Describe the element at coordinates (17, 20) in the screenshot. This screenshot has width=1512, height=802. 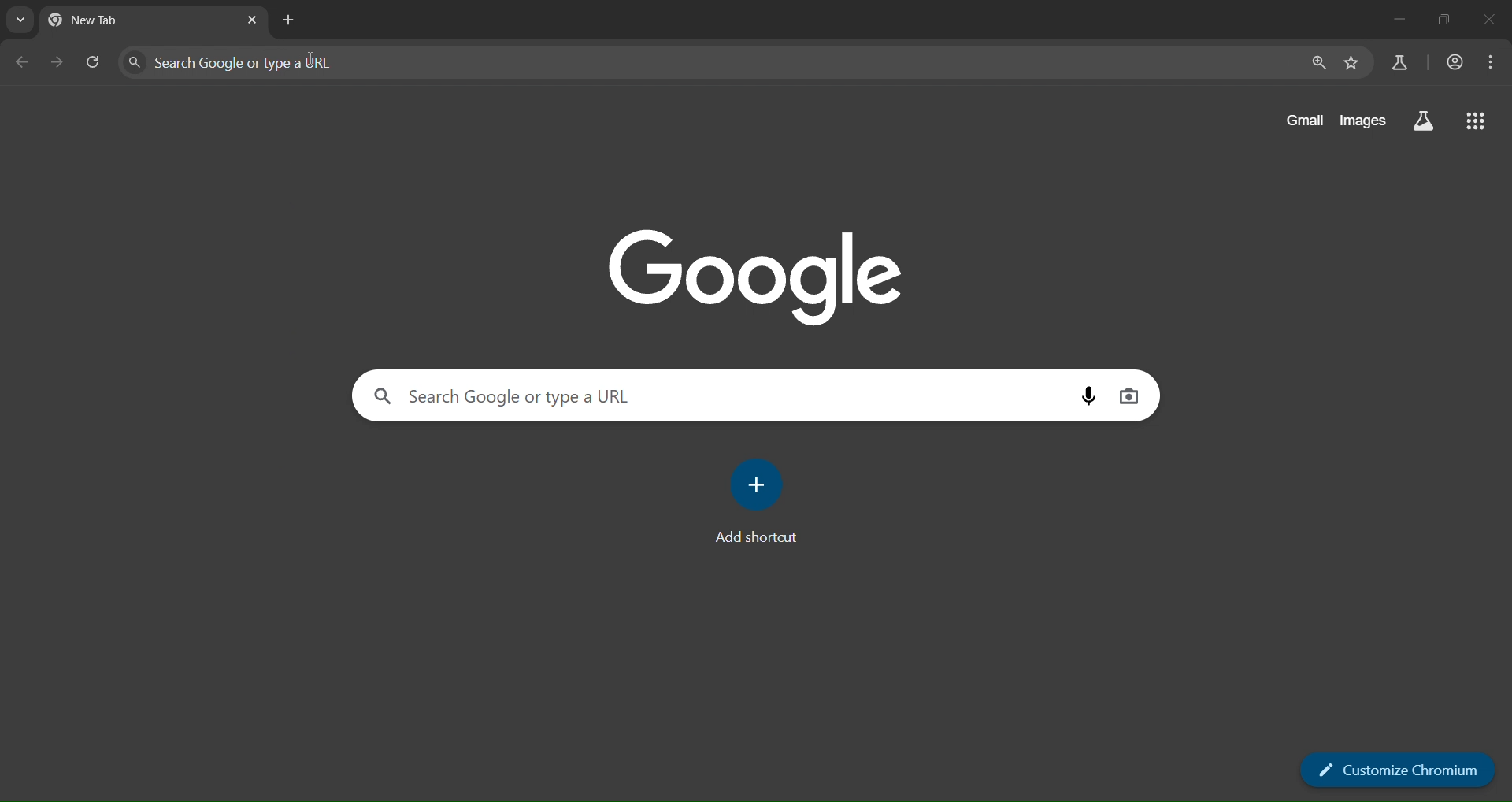
I see `search tabs` at that location.